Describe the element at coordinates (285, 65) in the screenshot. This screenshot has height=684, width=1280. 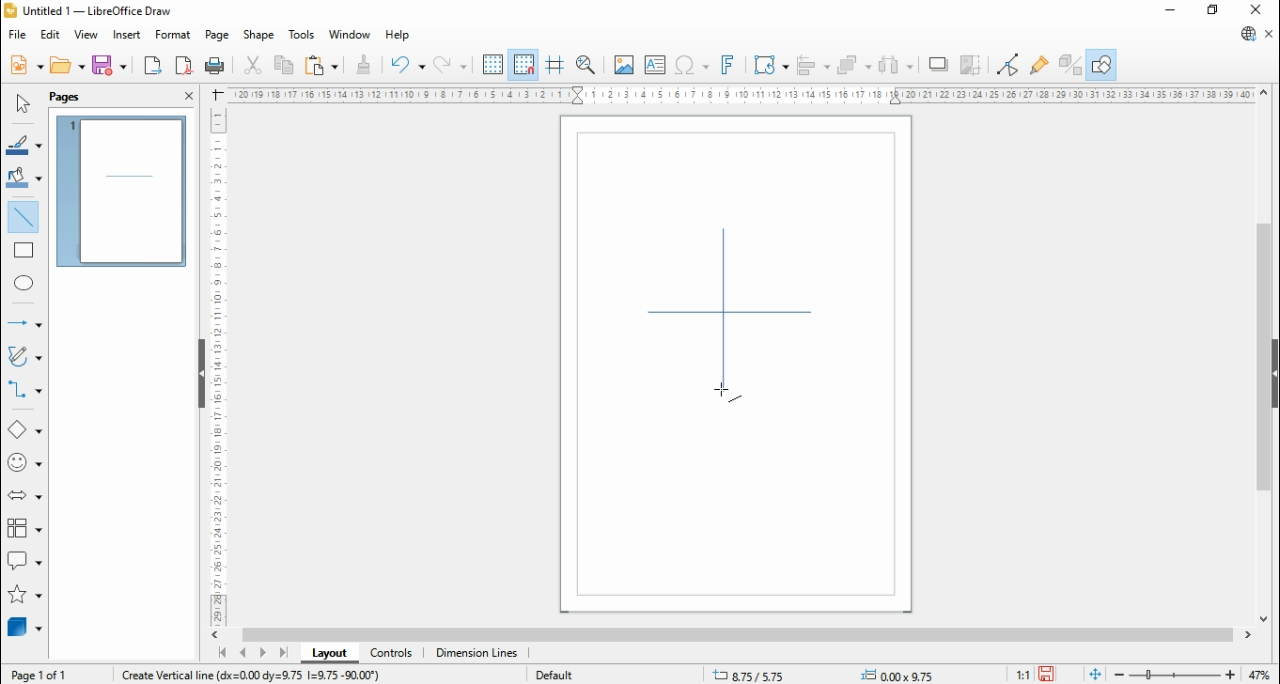
I see `copy` at that location.